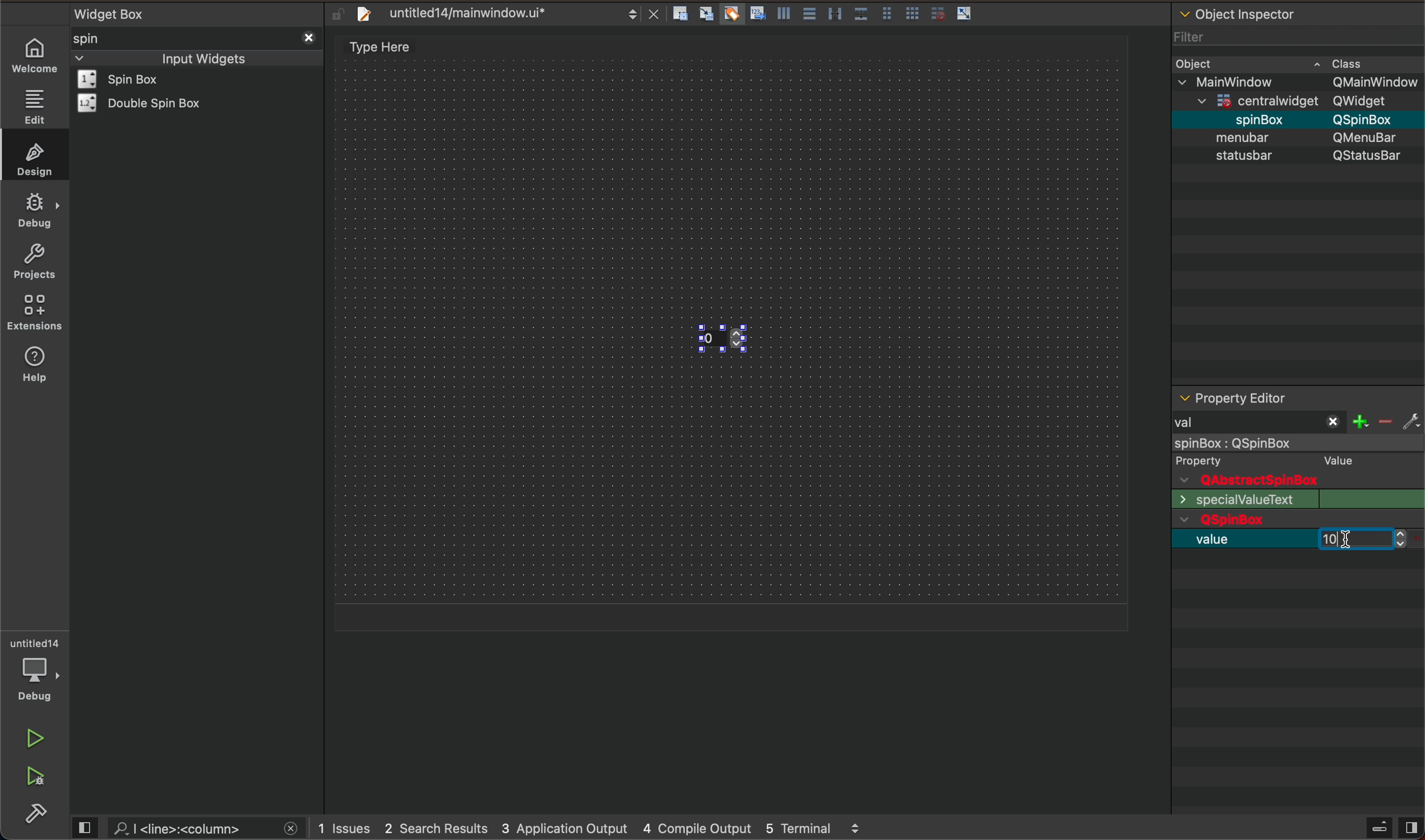 The height and width of the screenshot is (840, 1425). What do you see at coordinates (37, 670) in the screenshot?
I see `debugger` at bounding box center [37, 670].